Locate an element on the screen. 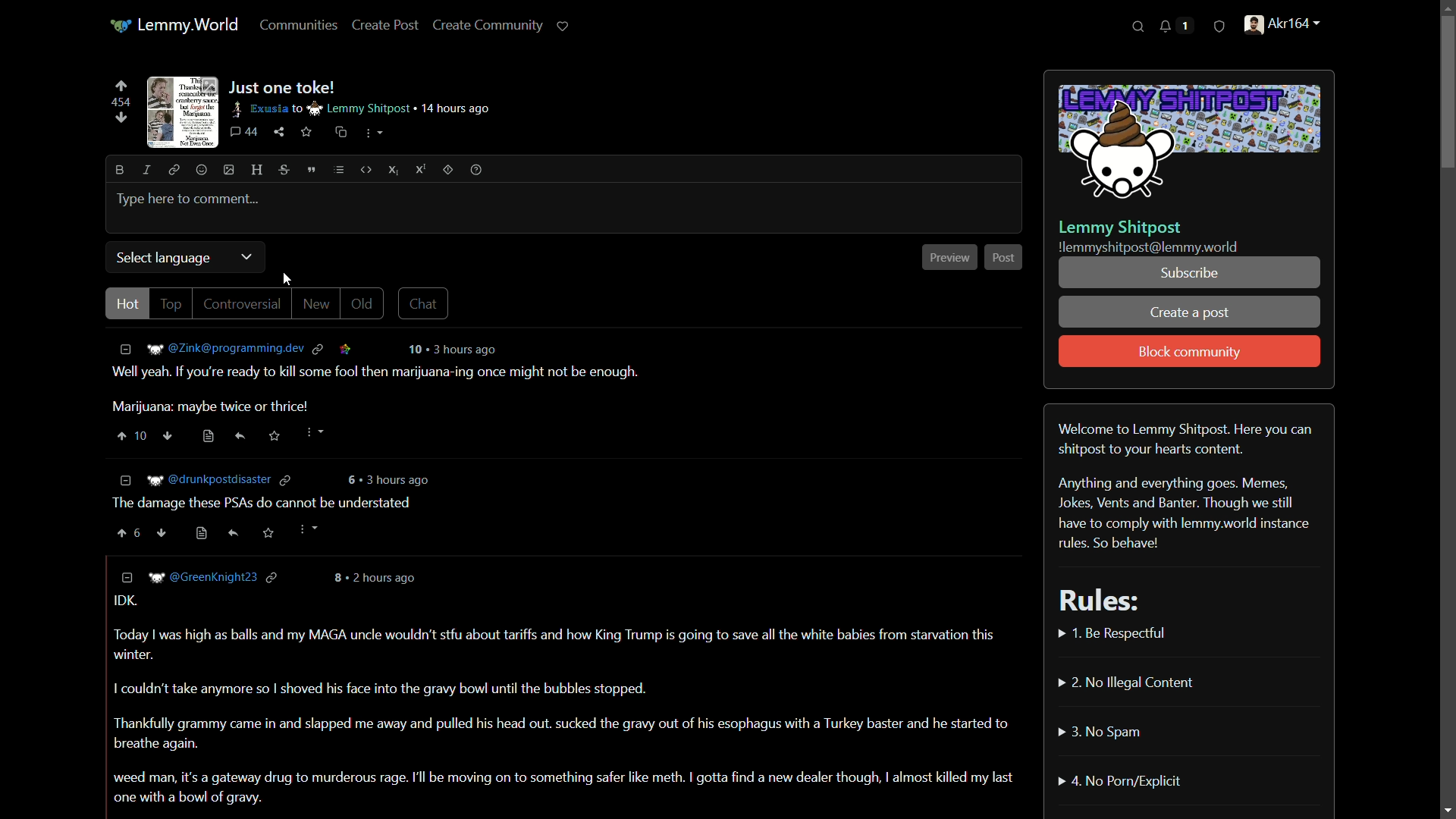 The width and height of the screenshot is (1456, 819). lemmy shitpost is located at coordinates (358, 108).